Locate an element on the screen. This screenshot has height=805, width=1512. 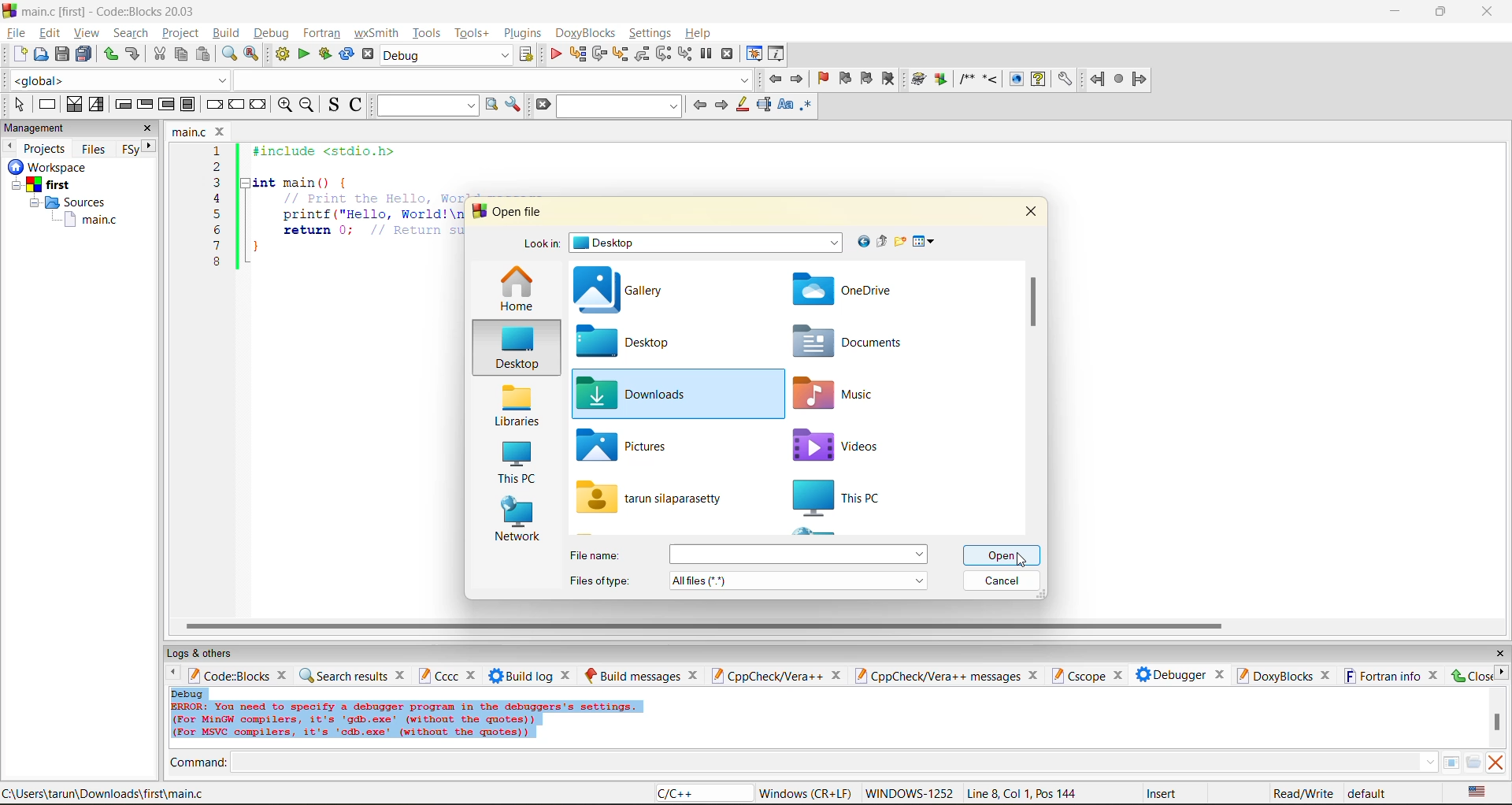
return instruction is located at coordinates (259, 106).